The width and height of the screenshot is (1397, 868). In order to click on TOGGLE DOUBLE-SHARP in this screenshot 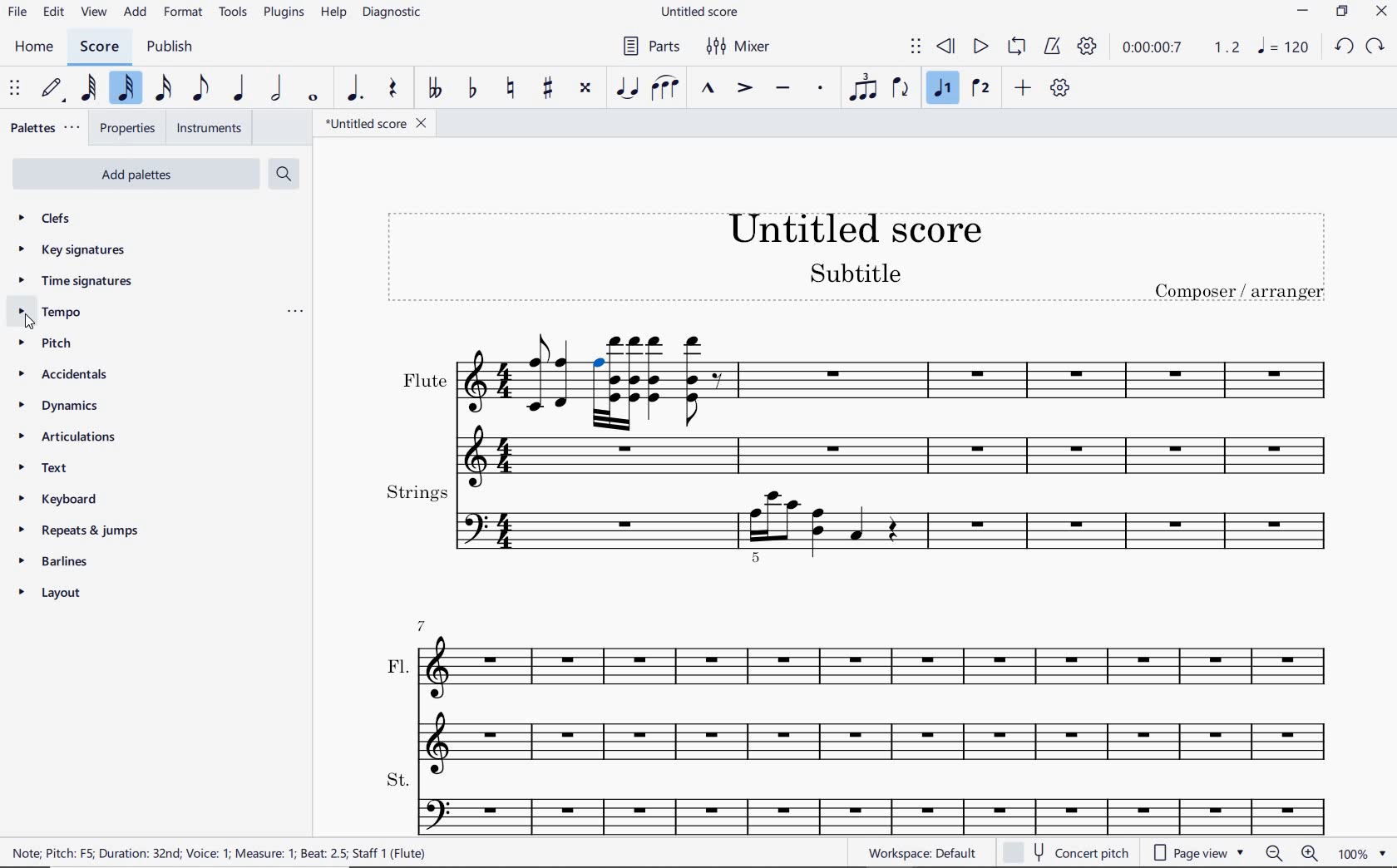, I will do `click(585, 89)`.